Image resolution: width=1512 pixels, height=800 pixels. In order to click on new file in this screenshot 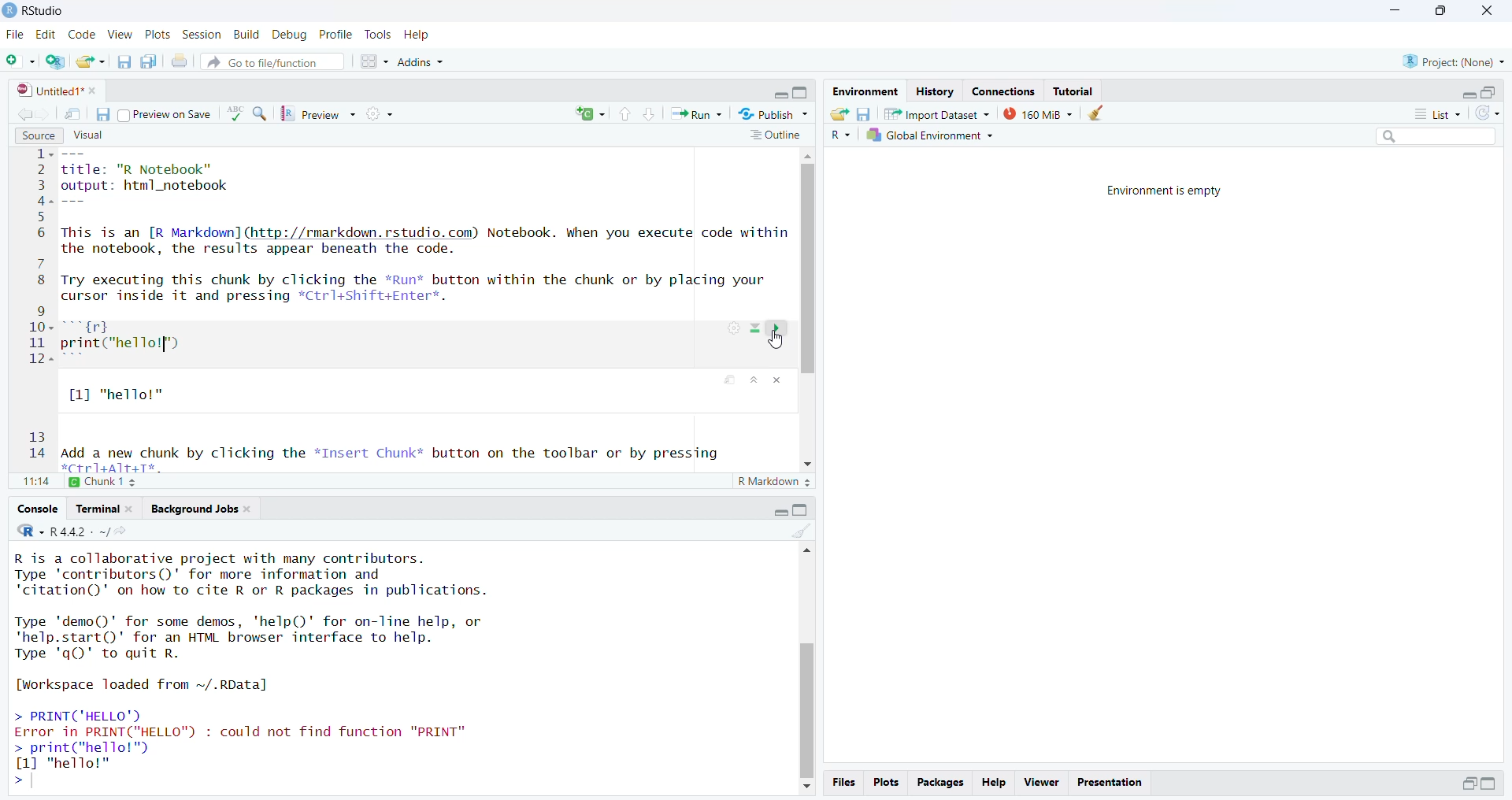, I will do `click(20, 61)`.